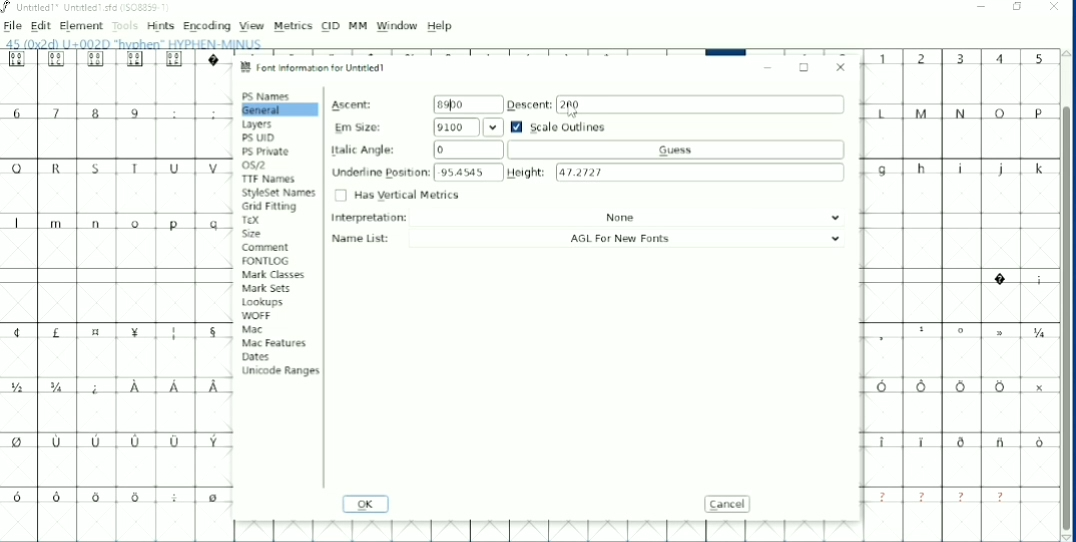  I want to click on TEX, so click(252, 220).